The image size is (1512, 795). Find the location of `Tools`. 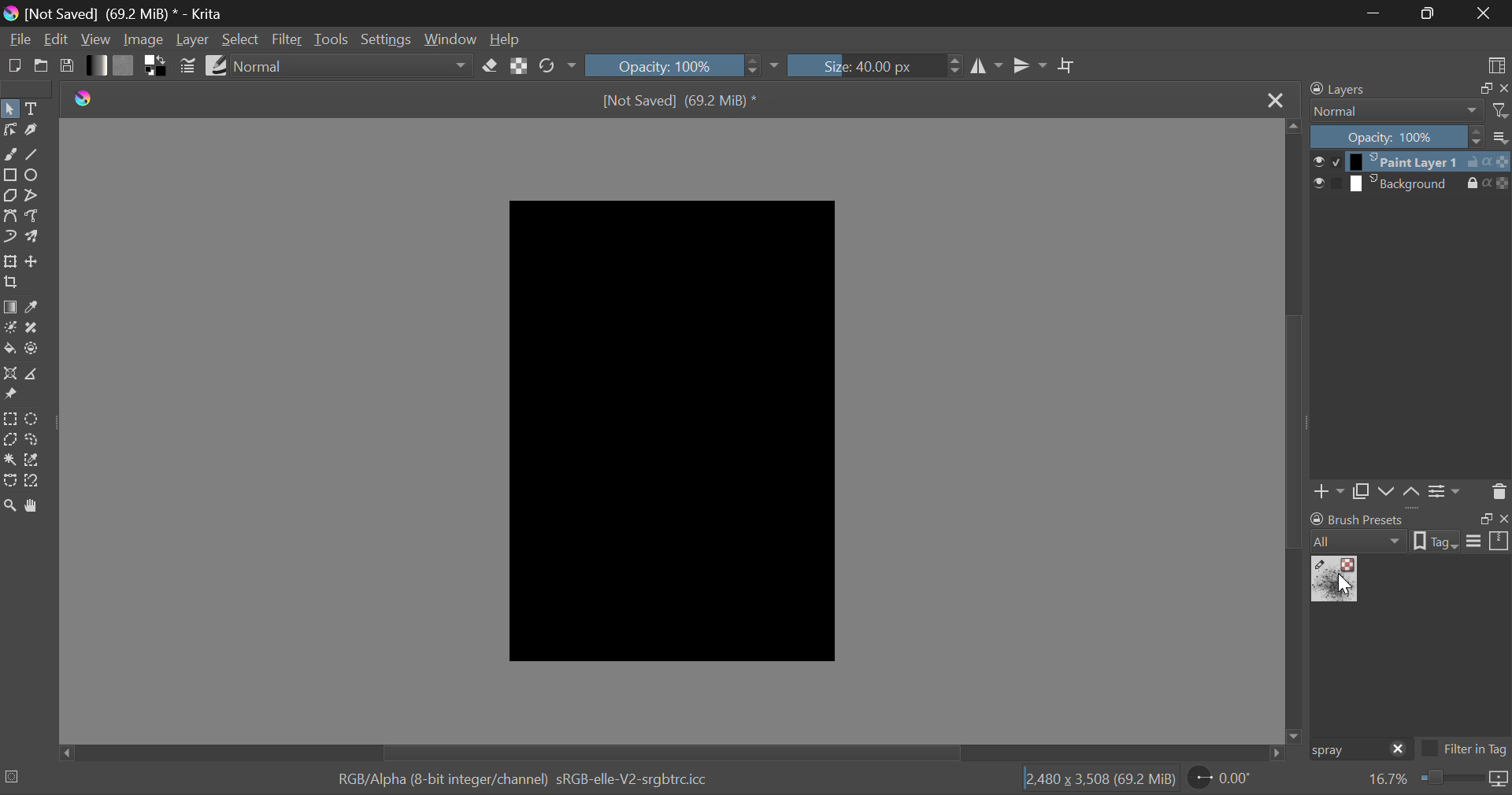

Tools is located at coordinates (334, 39).